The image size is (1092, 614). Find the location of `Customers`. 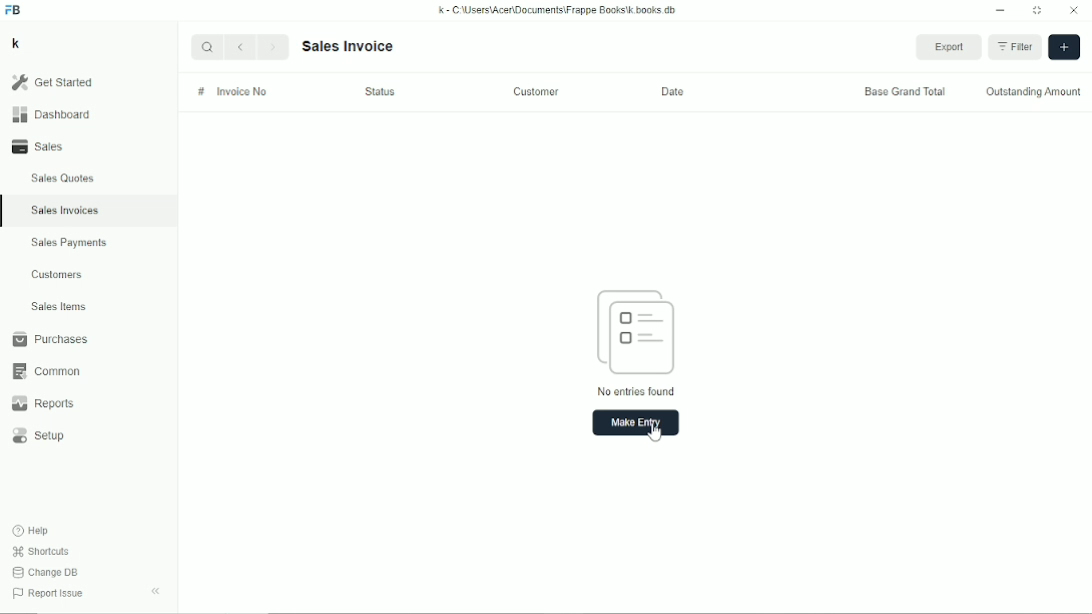

Customers is located at coordinates (58, 274).